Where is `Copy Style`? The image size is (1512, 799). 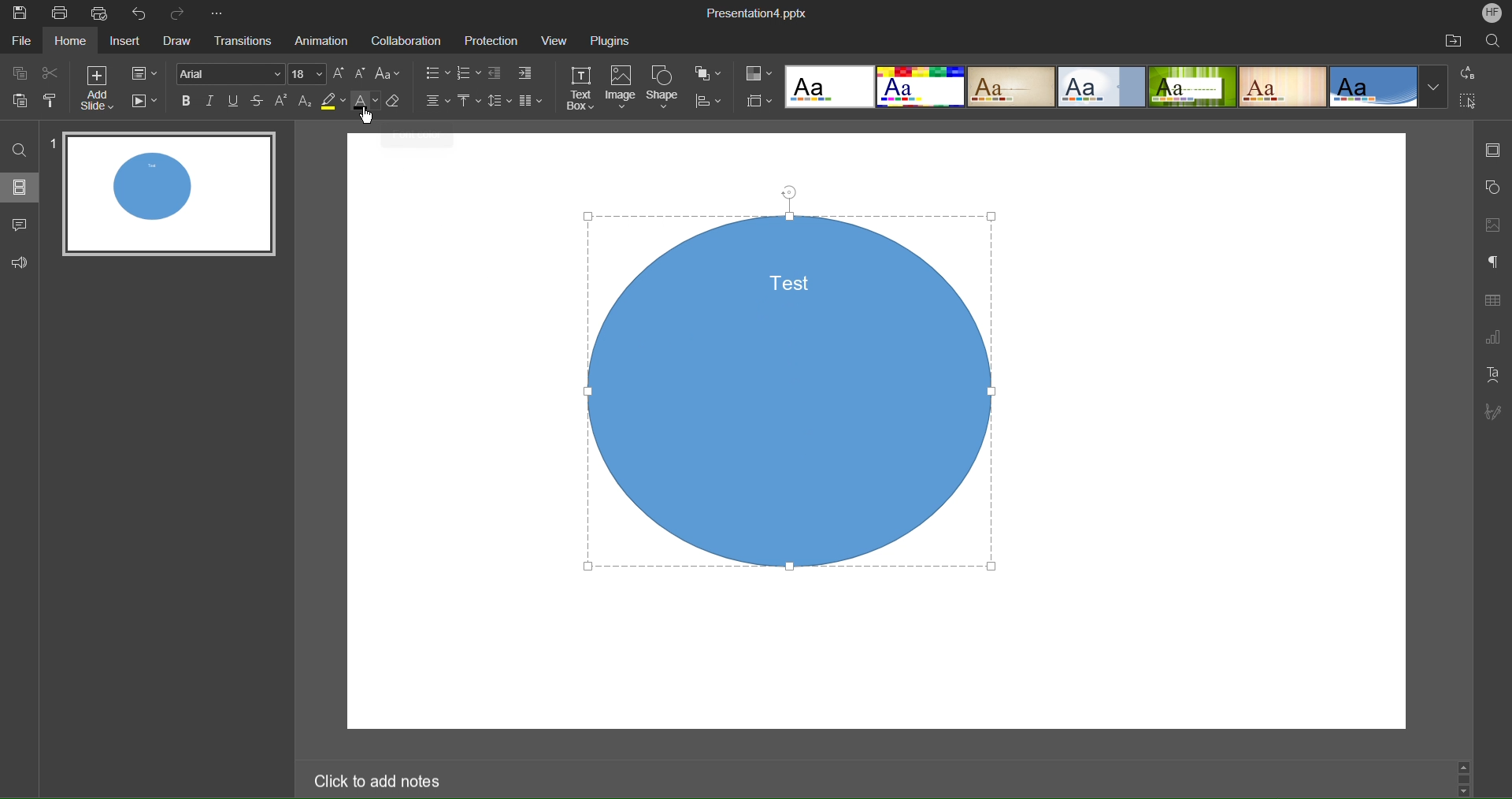 Copy Style is located at coordinates (50, 103).